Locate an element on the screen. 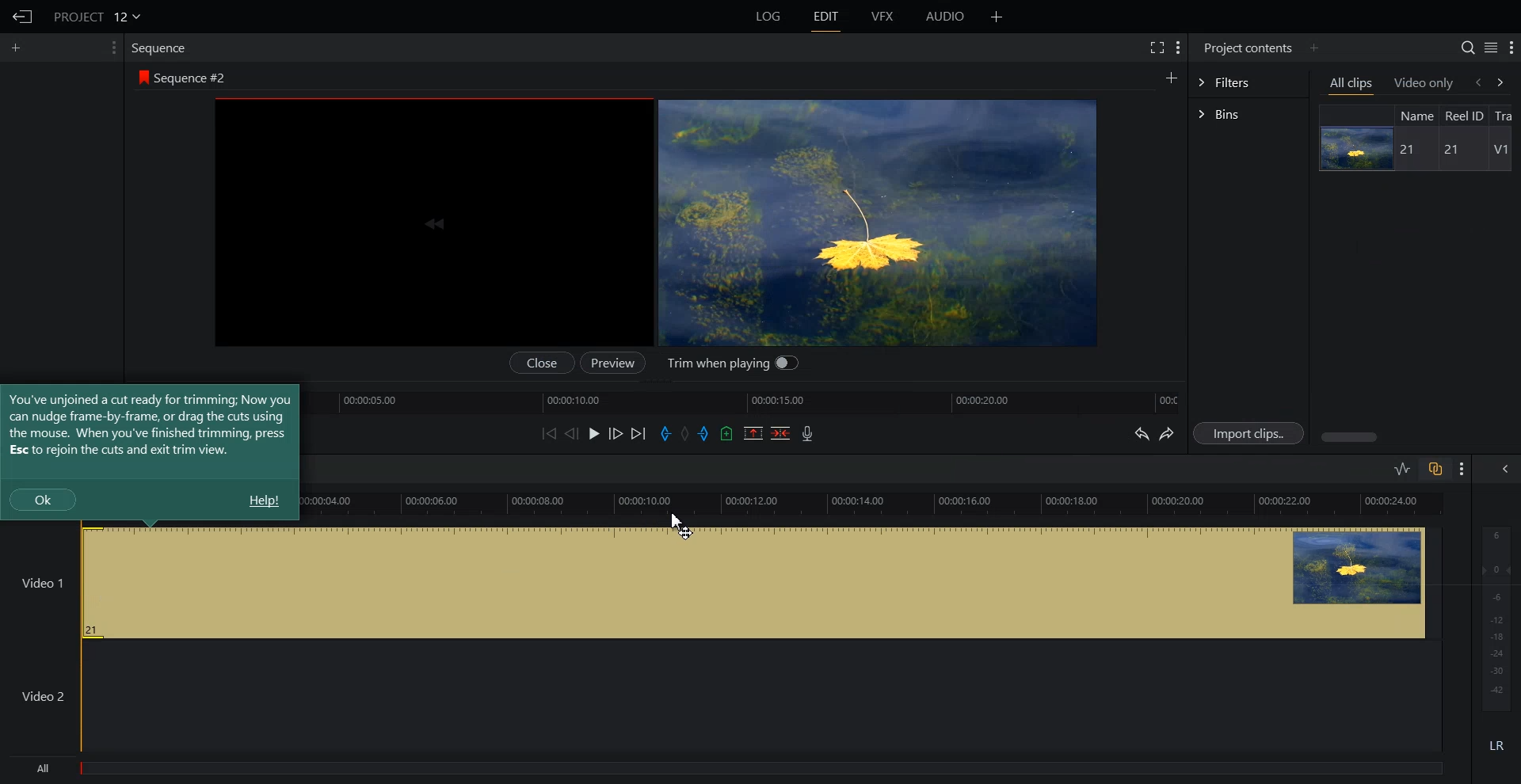  Clear all Marks is located at coordinates (685, 432).